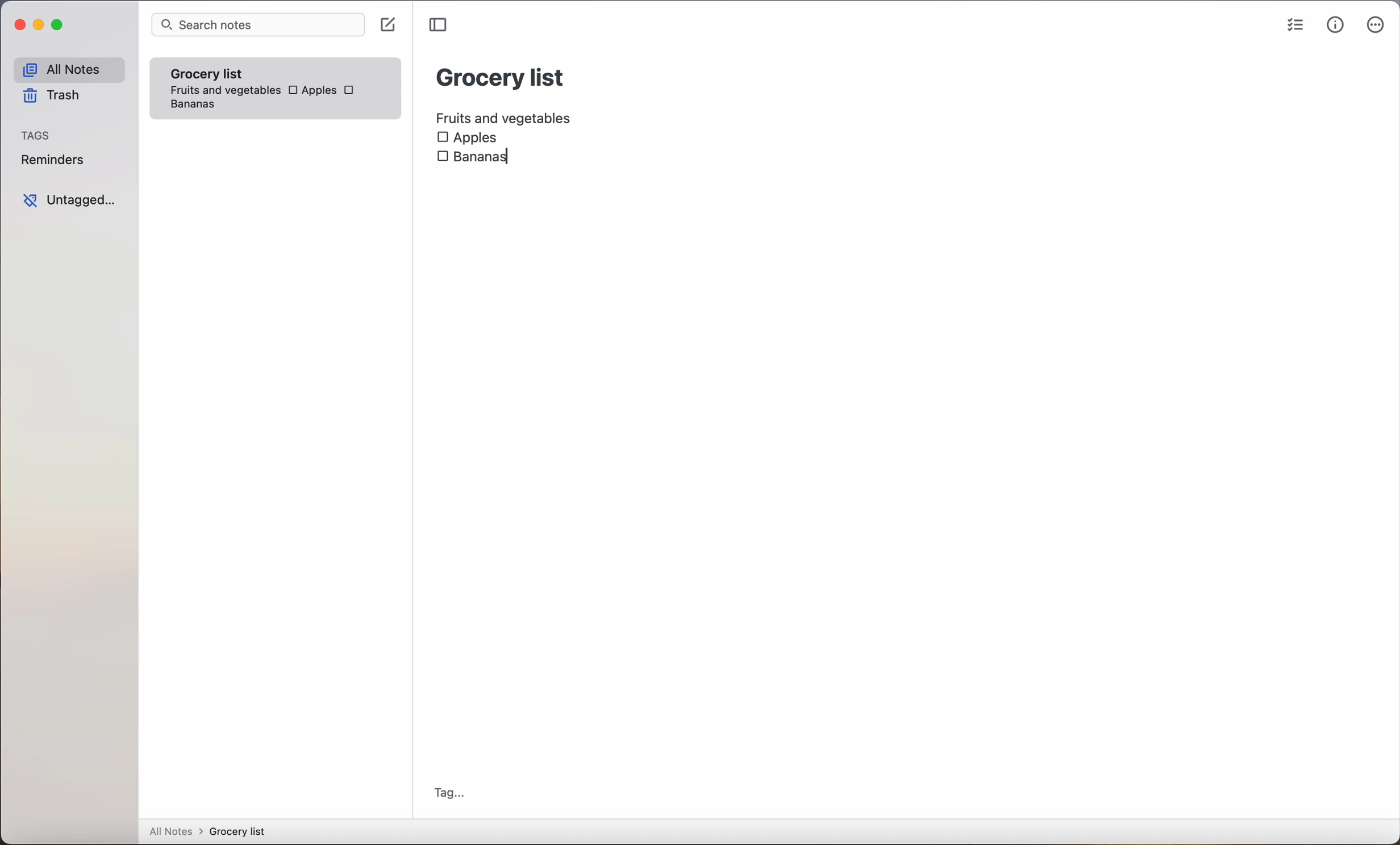  Describe the element at coordinates (52, 162) in the screenshot. I see `reminders` at that location.